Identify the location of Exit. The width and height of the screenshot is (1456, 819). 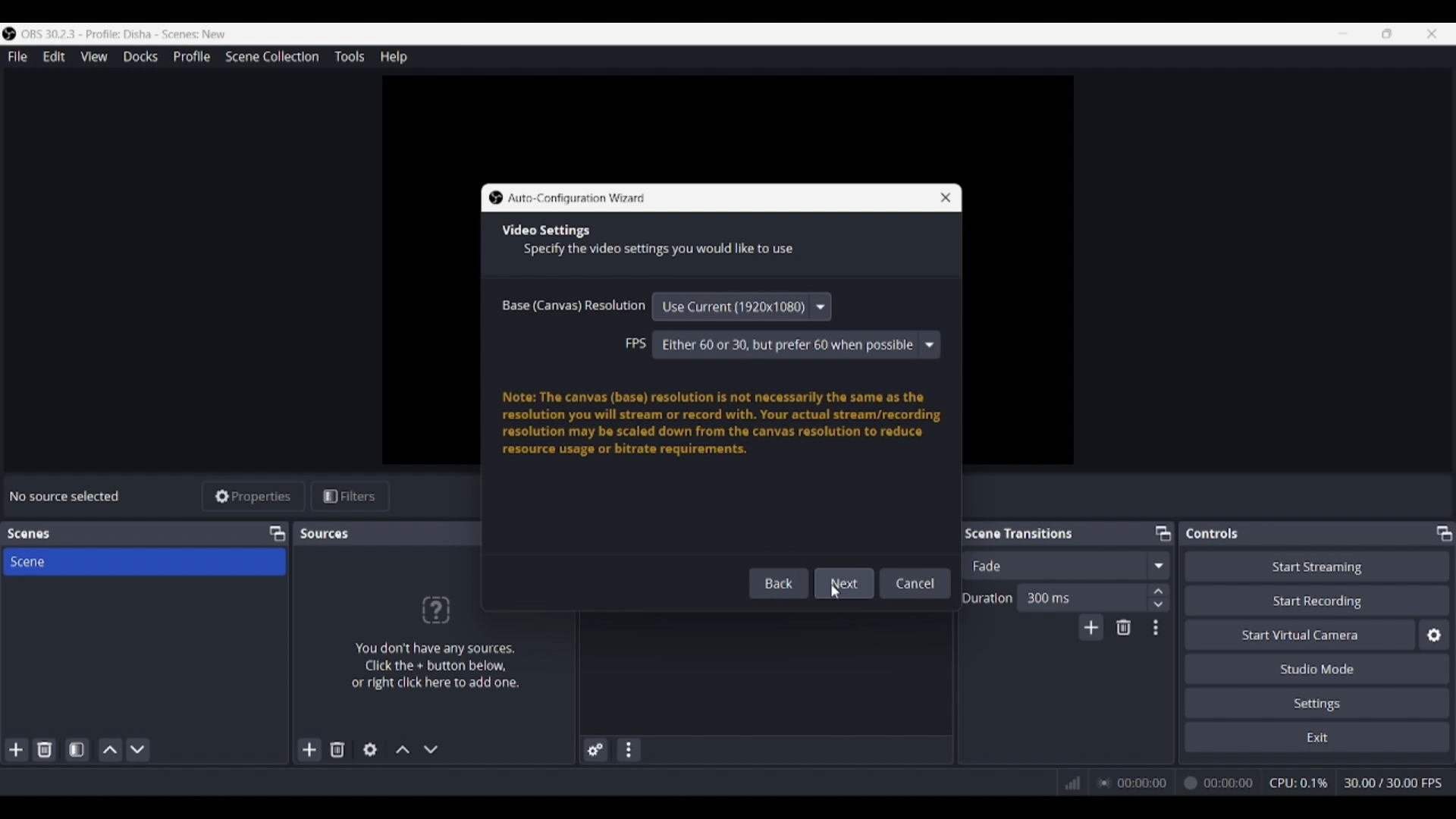
(1317, 736).